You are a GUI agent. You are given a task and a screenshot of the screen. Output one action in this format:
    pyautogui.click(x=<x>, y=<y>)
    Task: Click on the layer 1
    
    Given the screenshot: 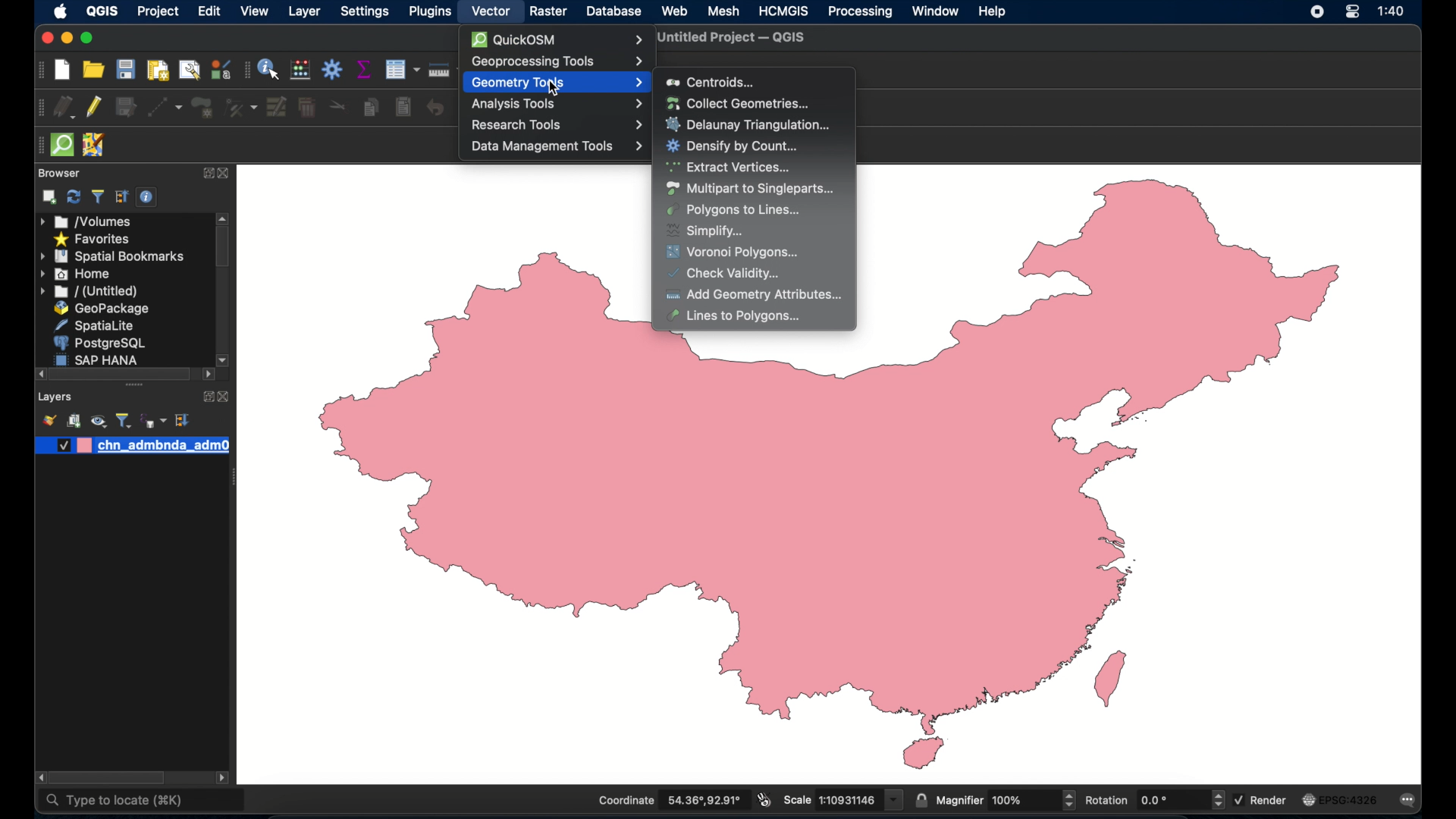 What is the action you would take?
    pyautogui.click(x=133, y=446)
    